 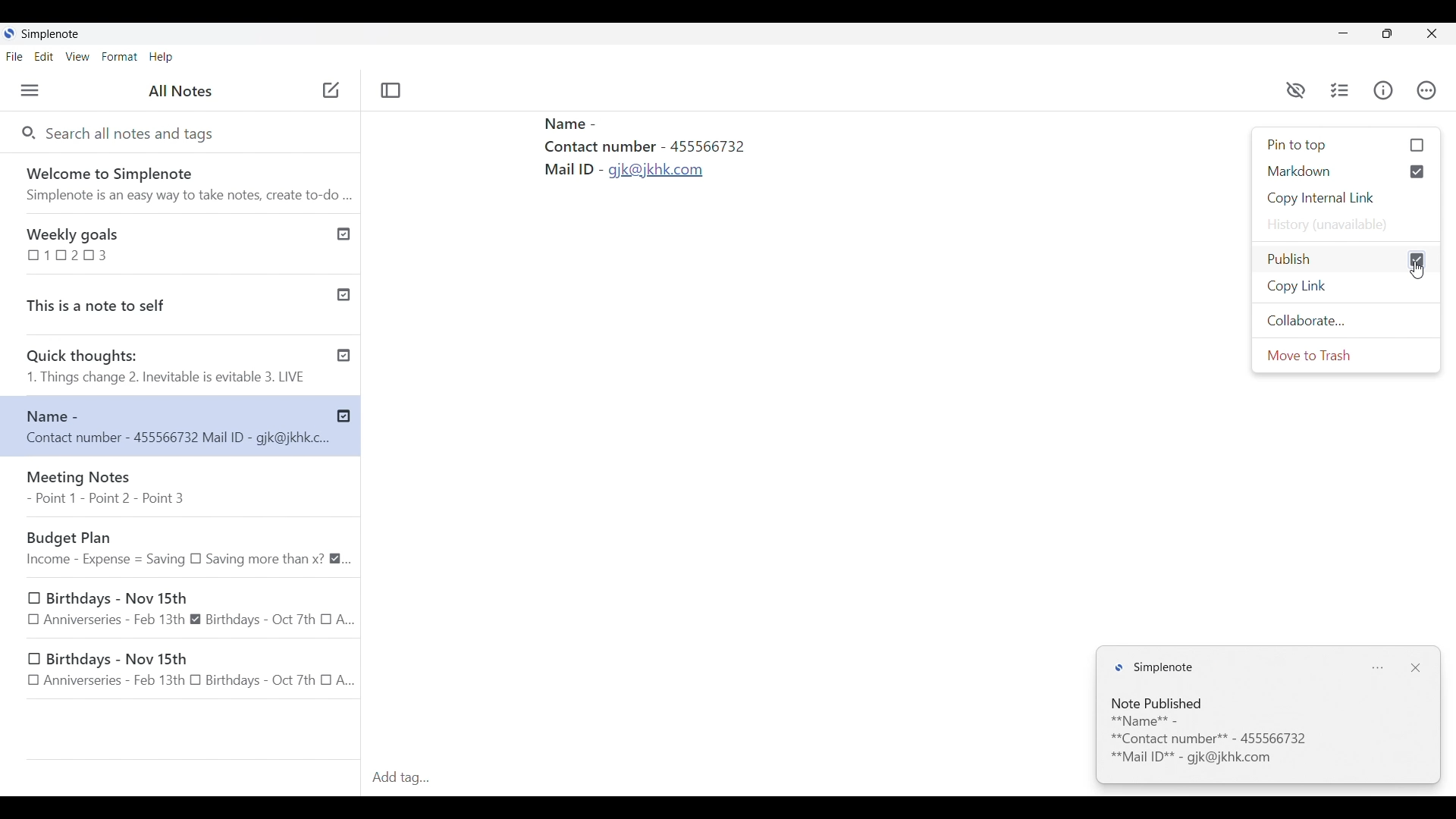 What do you see at coordinates (1415, 668) in the screenshot?
I see `Close notifications window` at bounding box center [1415, 668].